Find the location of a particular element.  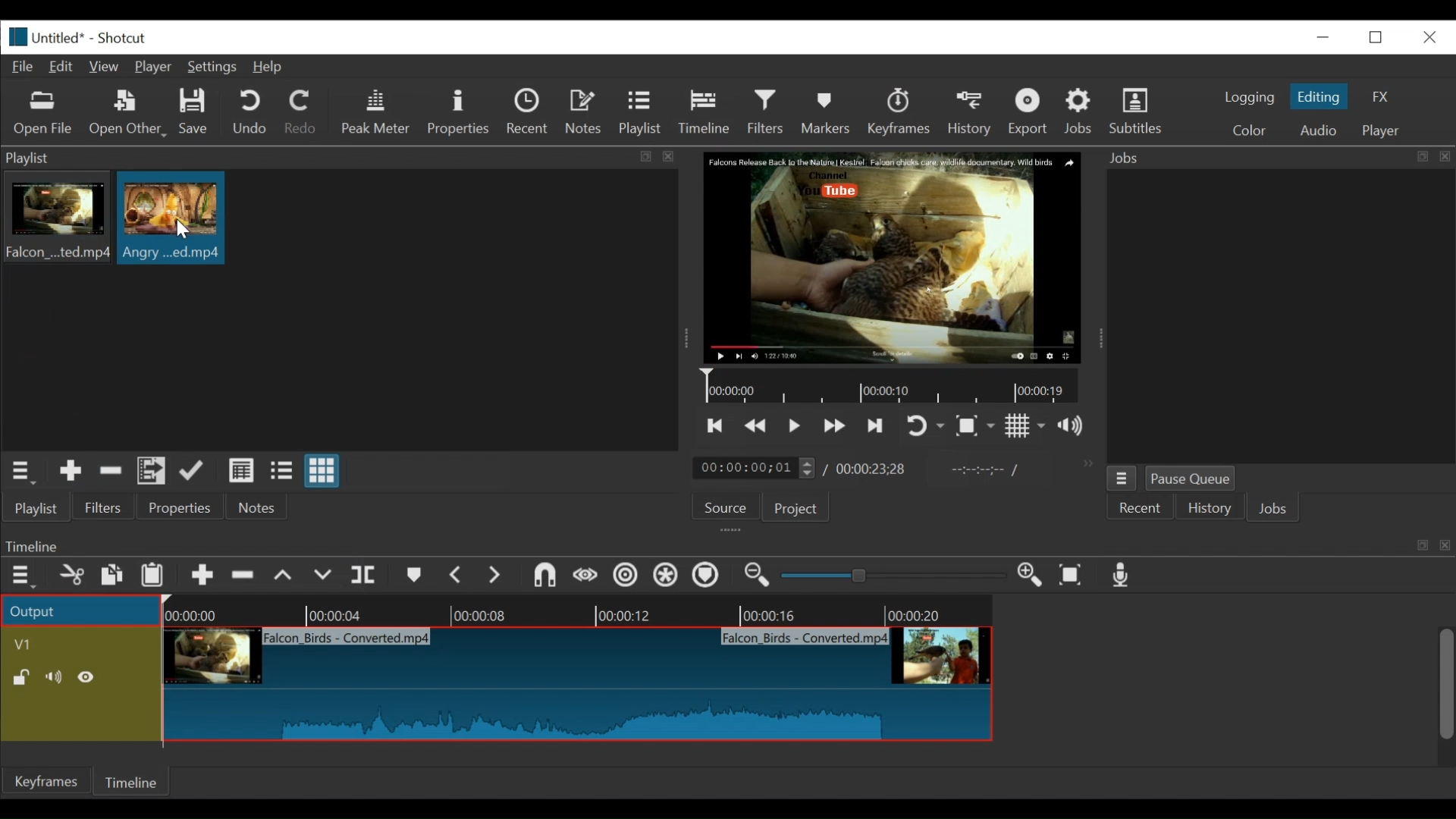

lift is located at coordinates (285, 577).